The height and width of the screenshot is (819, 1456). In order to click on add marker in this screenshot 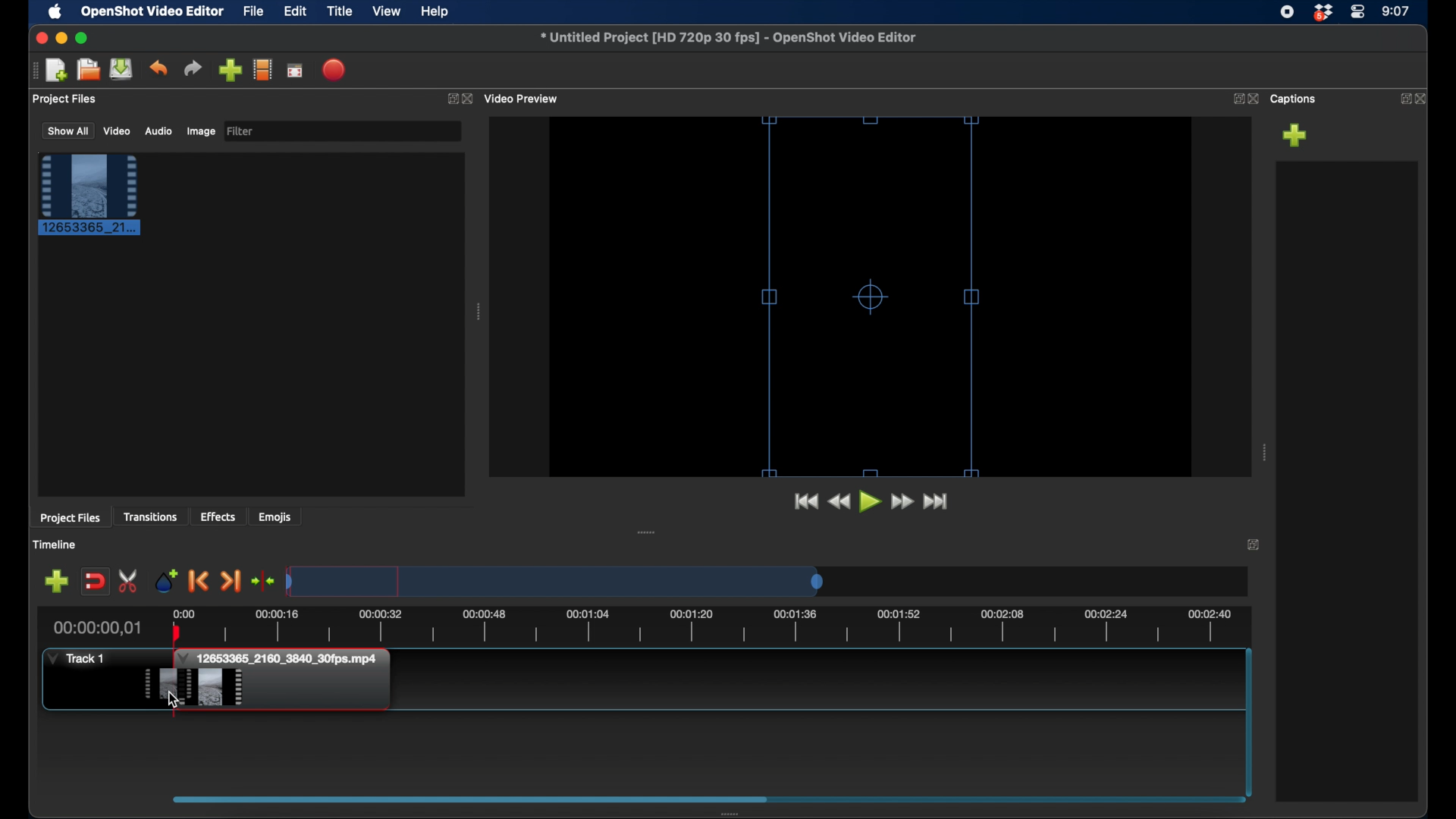, I will do `click(168, 581)`.